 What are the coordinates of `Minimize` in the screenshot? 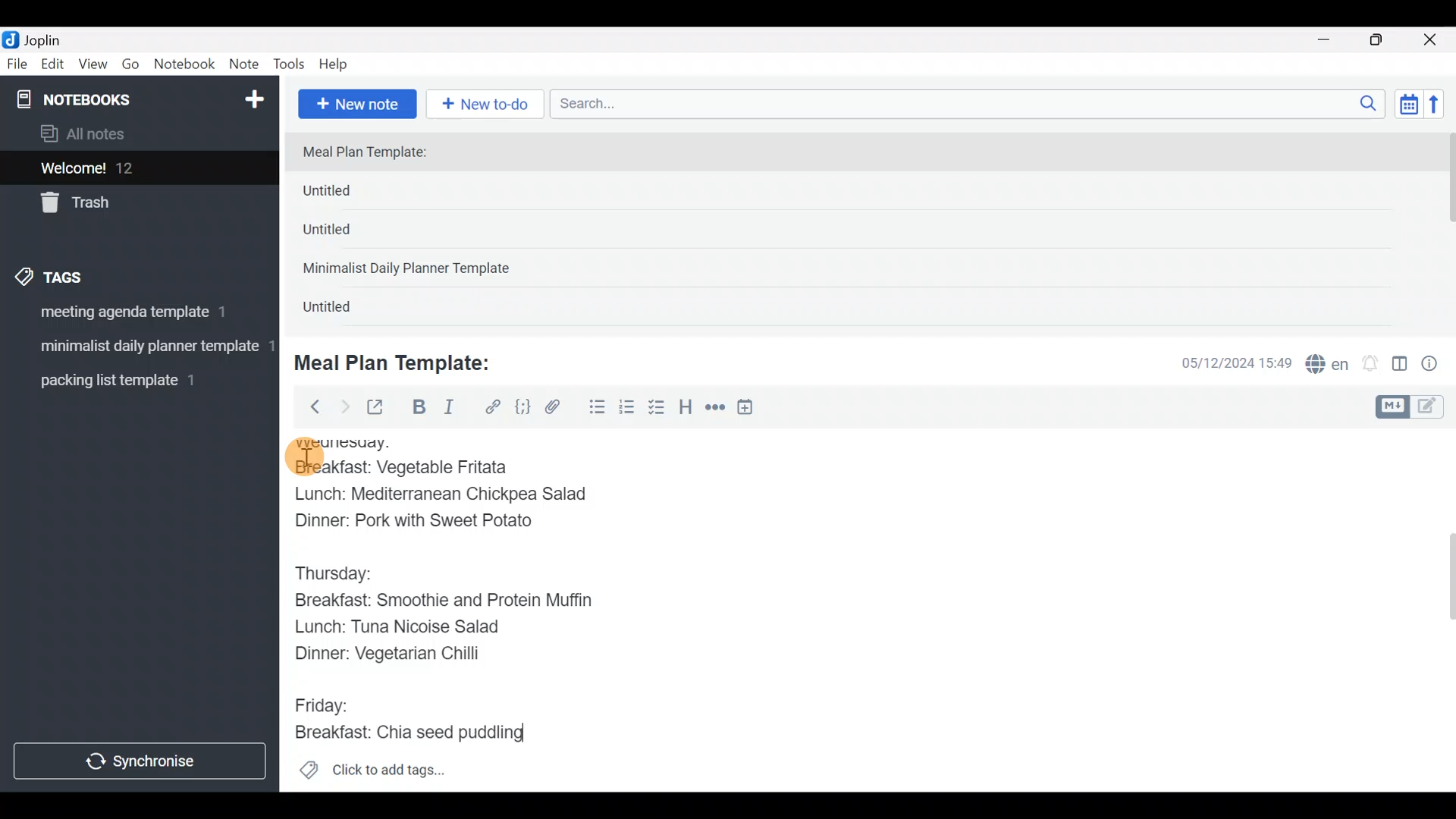 It's located at (1332, 38).